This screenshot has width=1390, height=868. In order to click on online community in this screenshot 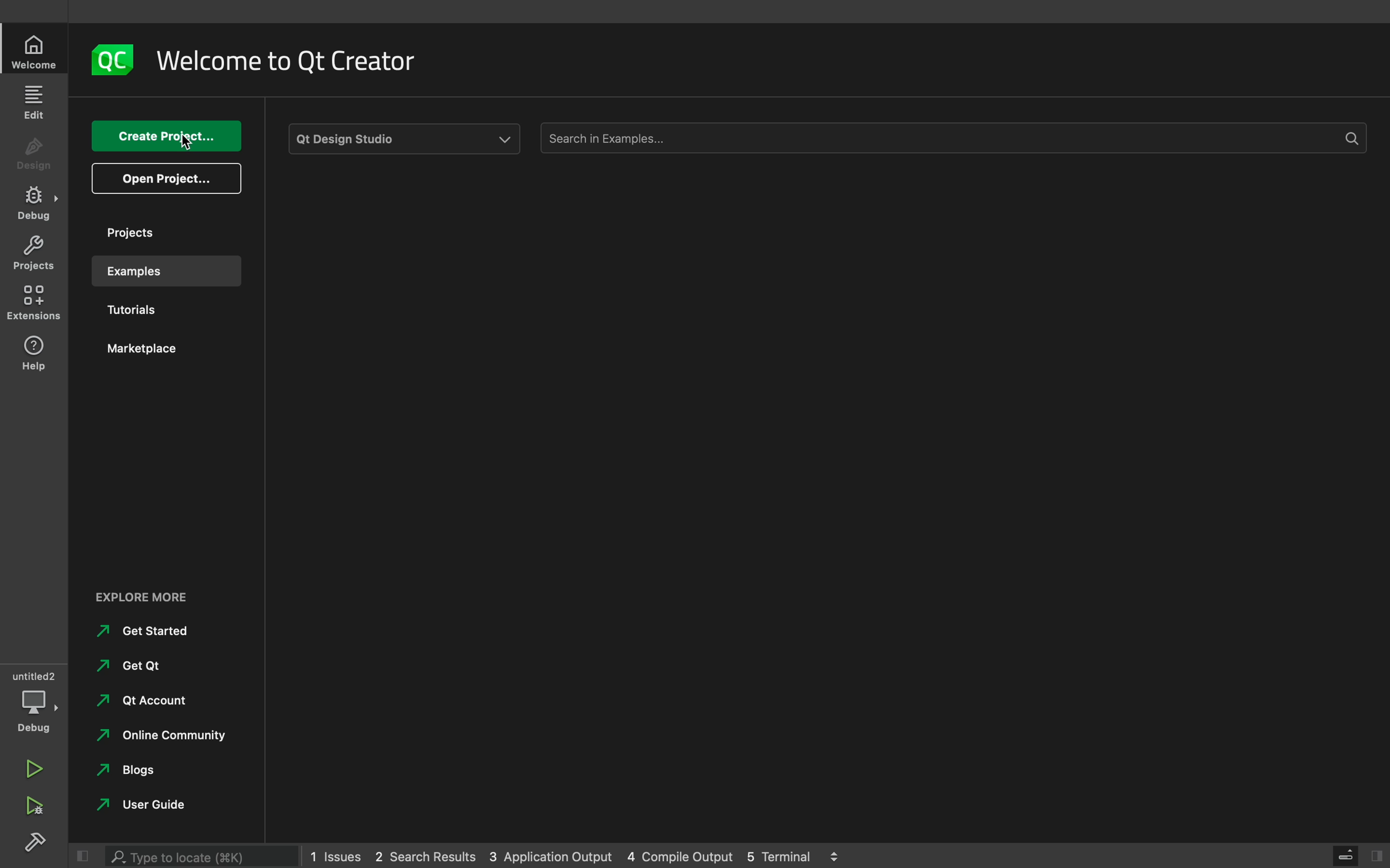, I will do `click(157, 739)`.